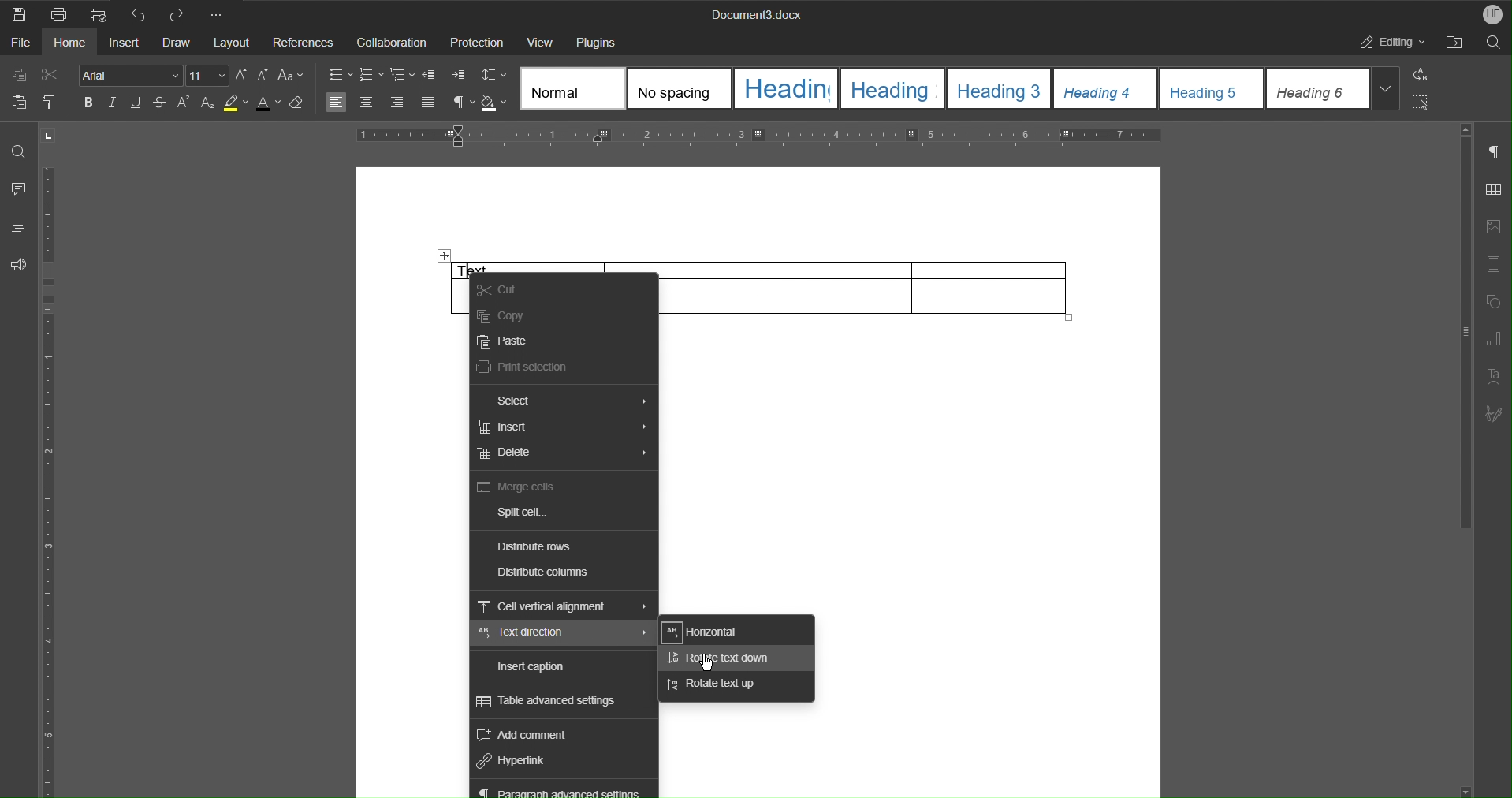 The height and width of the screenshot is (798, 1512). What do you see at coordinates (177, 42) in the screenshot?
I see `Draw` at bounding box center [177, 42].